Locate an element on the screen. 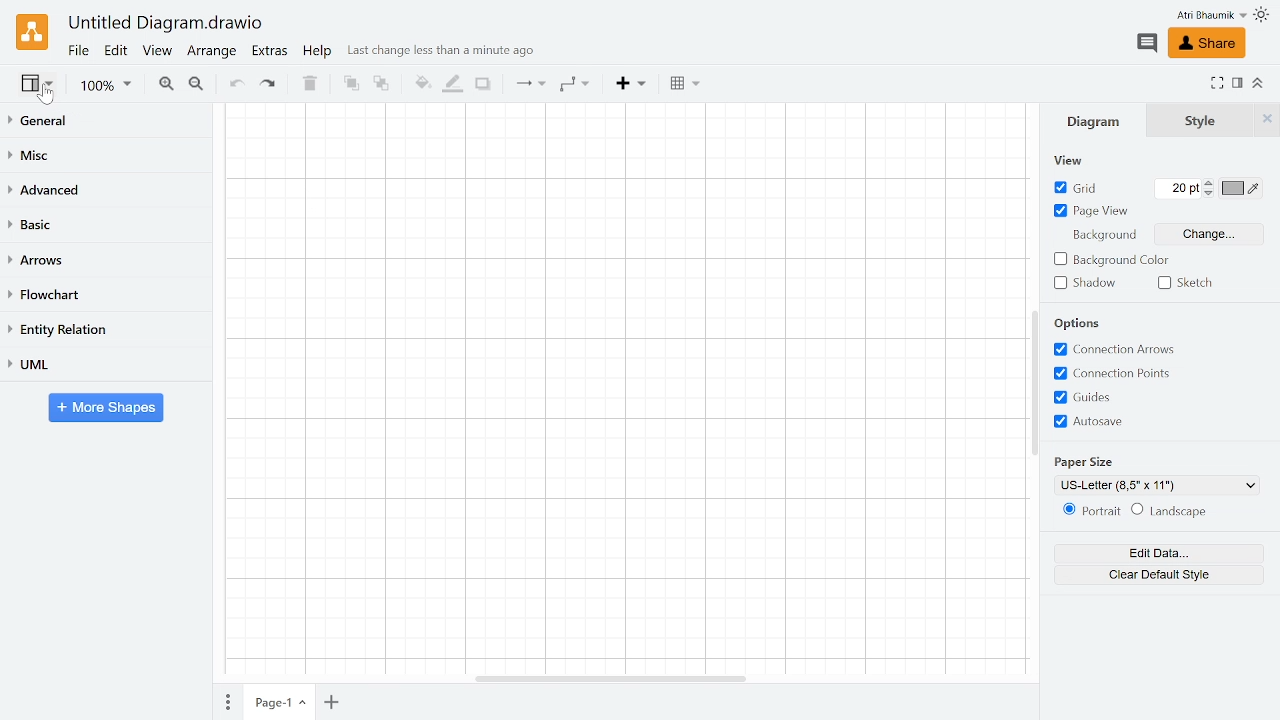  To front is located at coordinates (350, 86).